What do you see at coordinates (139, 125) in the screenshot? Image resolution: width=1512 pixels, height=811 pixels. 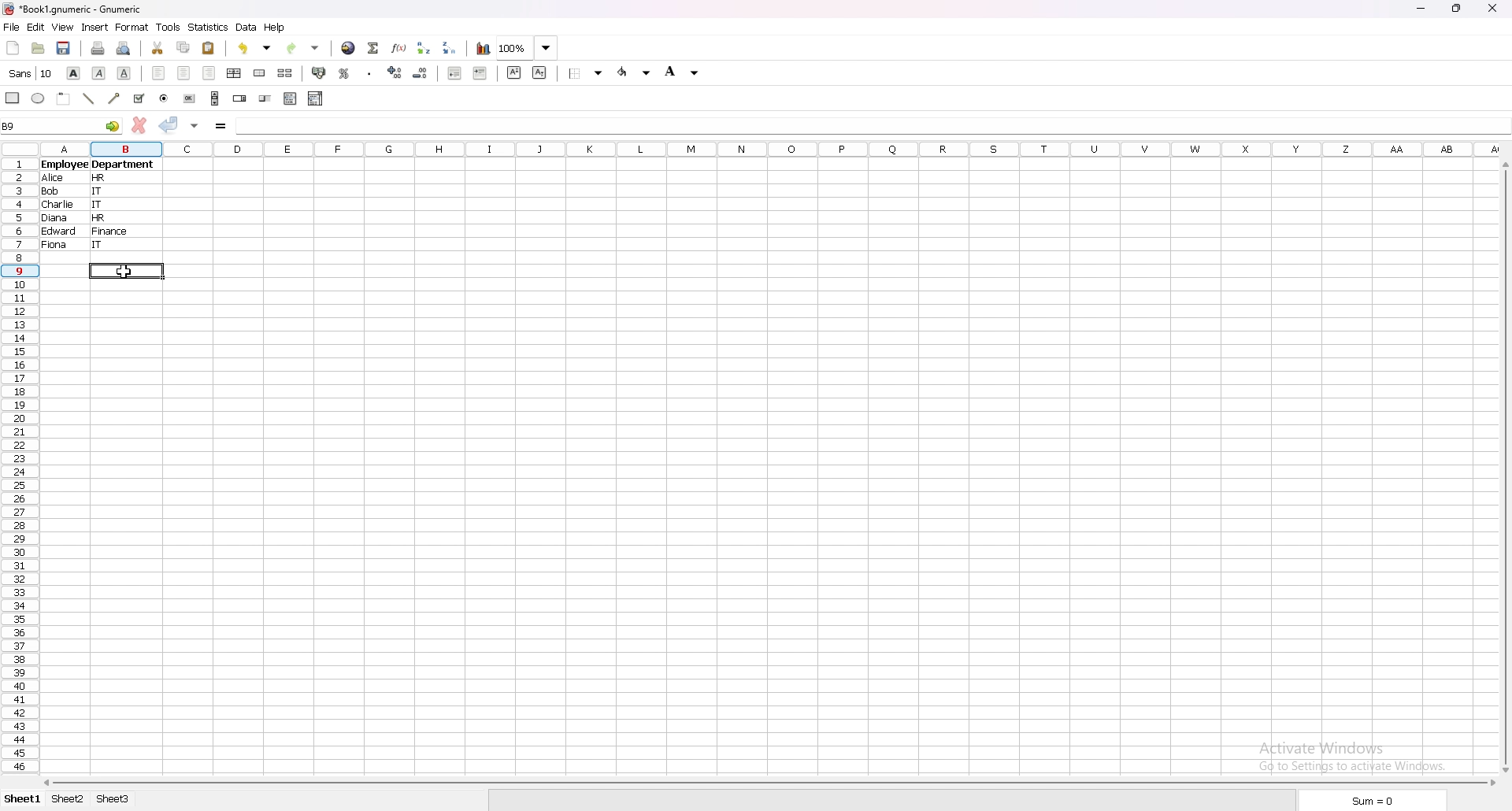 I see `cancel changes` at bounding box center [139, 125].